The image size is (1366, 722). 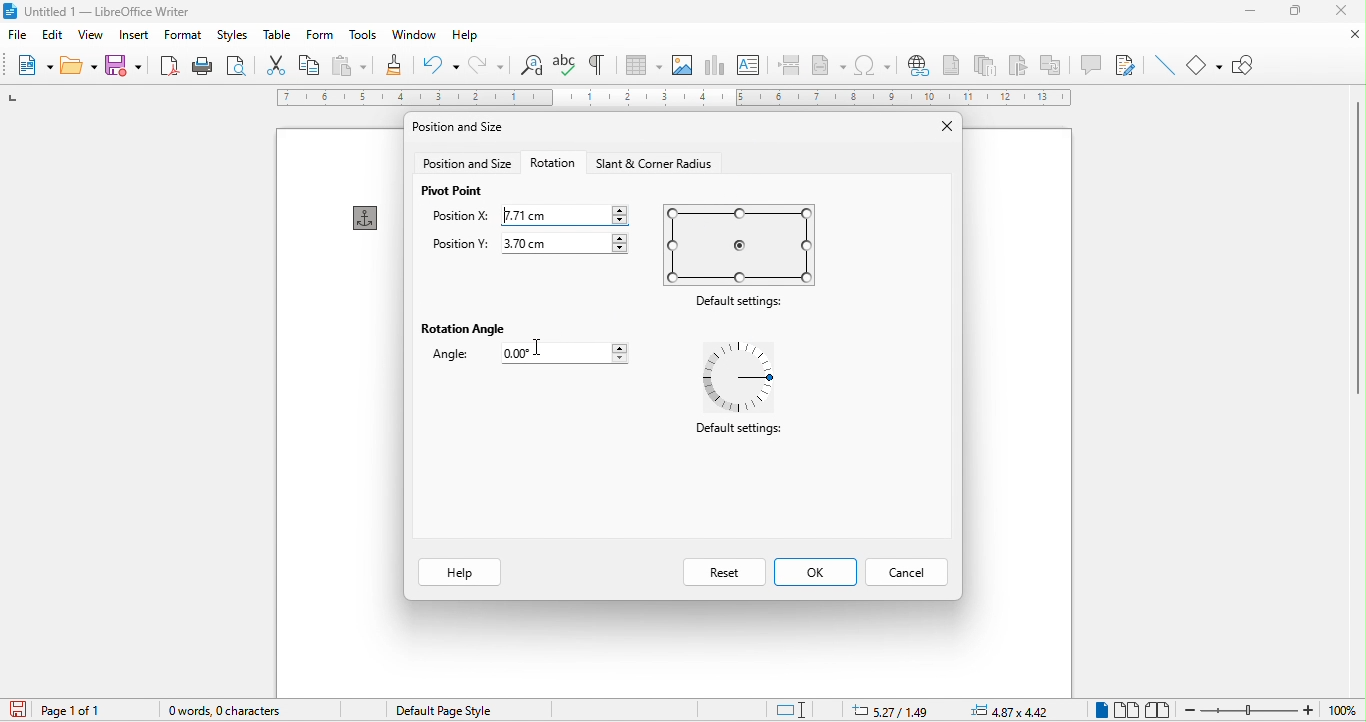 I want to click on 7.71 cm, so click(x=567, y=214).